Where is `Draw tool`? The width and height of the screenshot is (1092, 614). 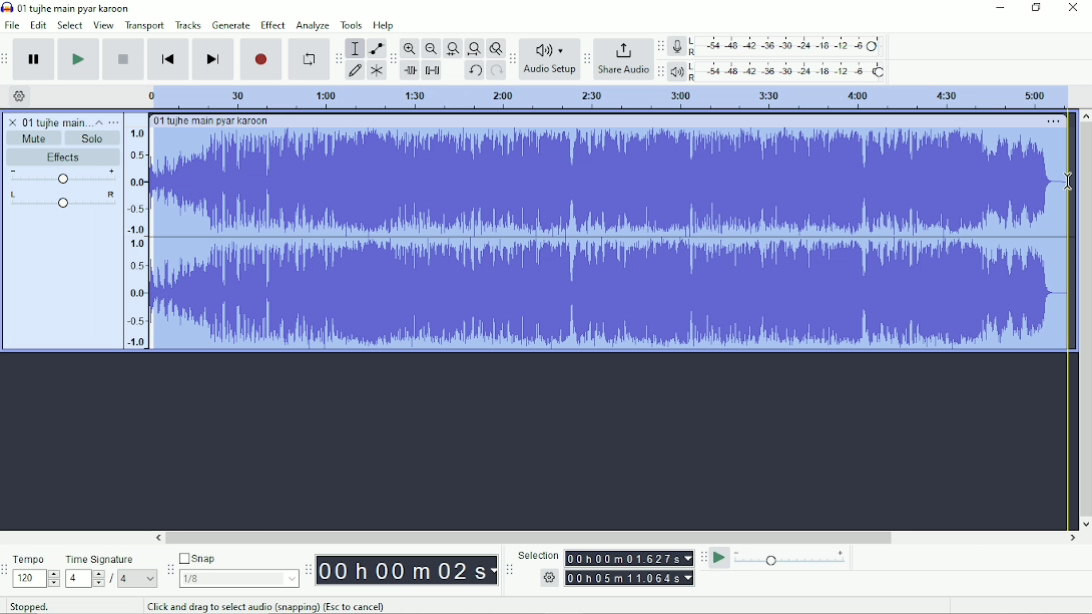
Draw tool is located at coordinates (355, 72).